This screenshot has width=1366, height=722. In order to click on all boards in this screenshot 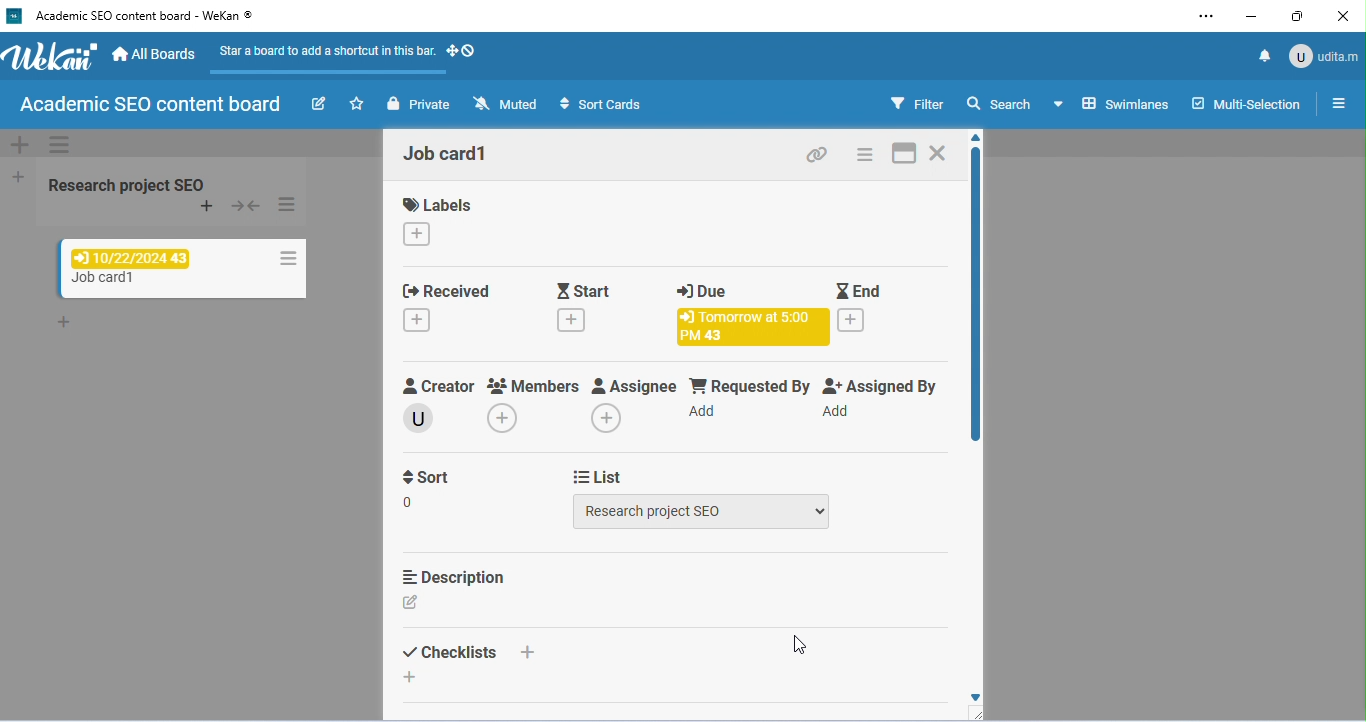, I will do `click(156, 55)`.